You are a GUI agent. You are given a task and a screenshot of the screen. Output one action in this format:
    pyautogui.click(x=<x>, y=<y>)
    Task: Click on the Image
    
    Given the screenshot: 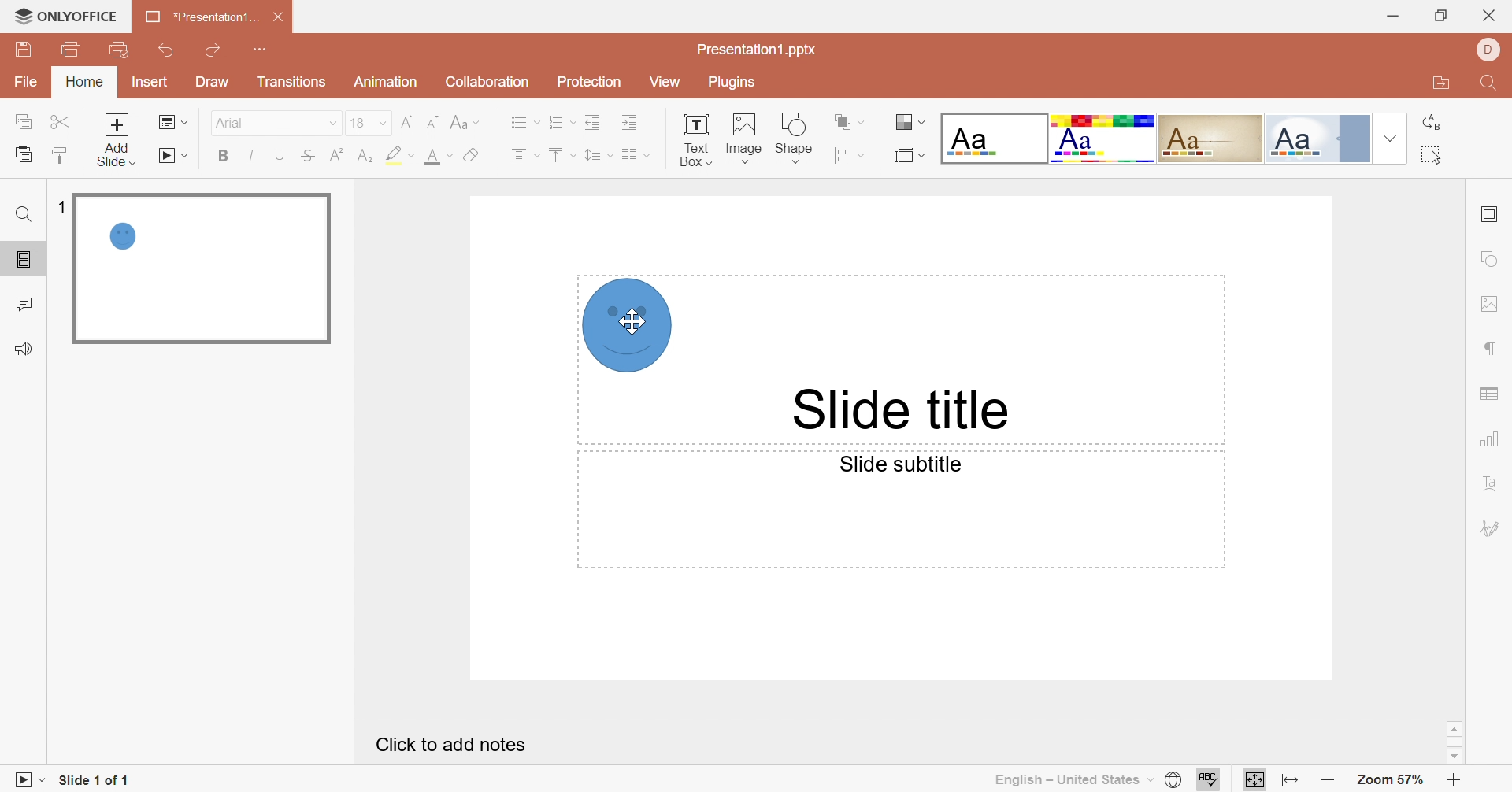 What is the action you would take?
    pyautogui.click(x=744, y=138)
    